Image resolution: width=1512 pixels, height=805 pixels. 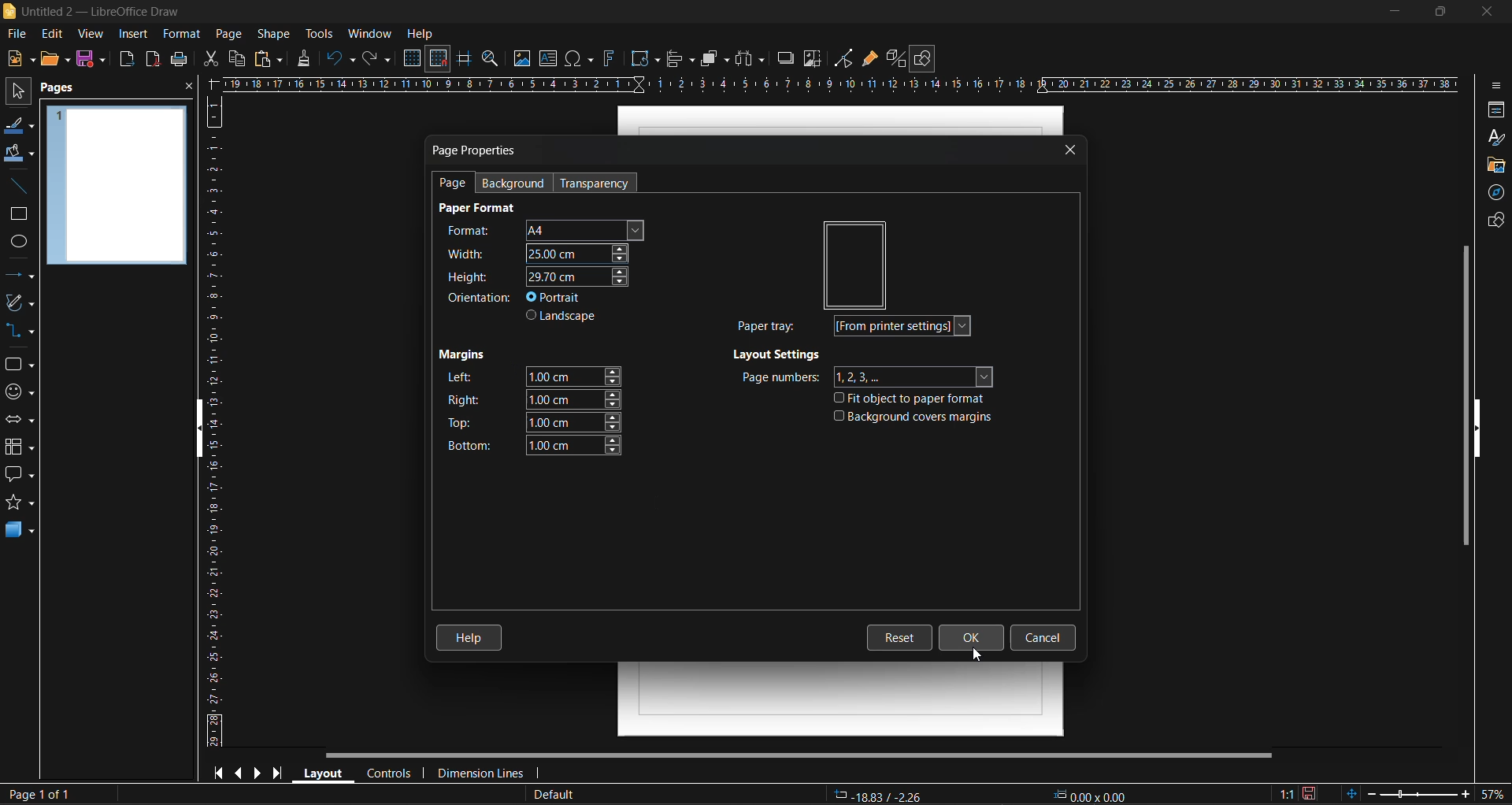 I want to click on slide master name, so click(x=558, y=795).